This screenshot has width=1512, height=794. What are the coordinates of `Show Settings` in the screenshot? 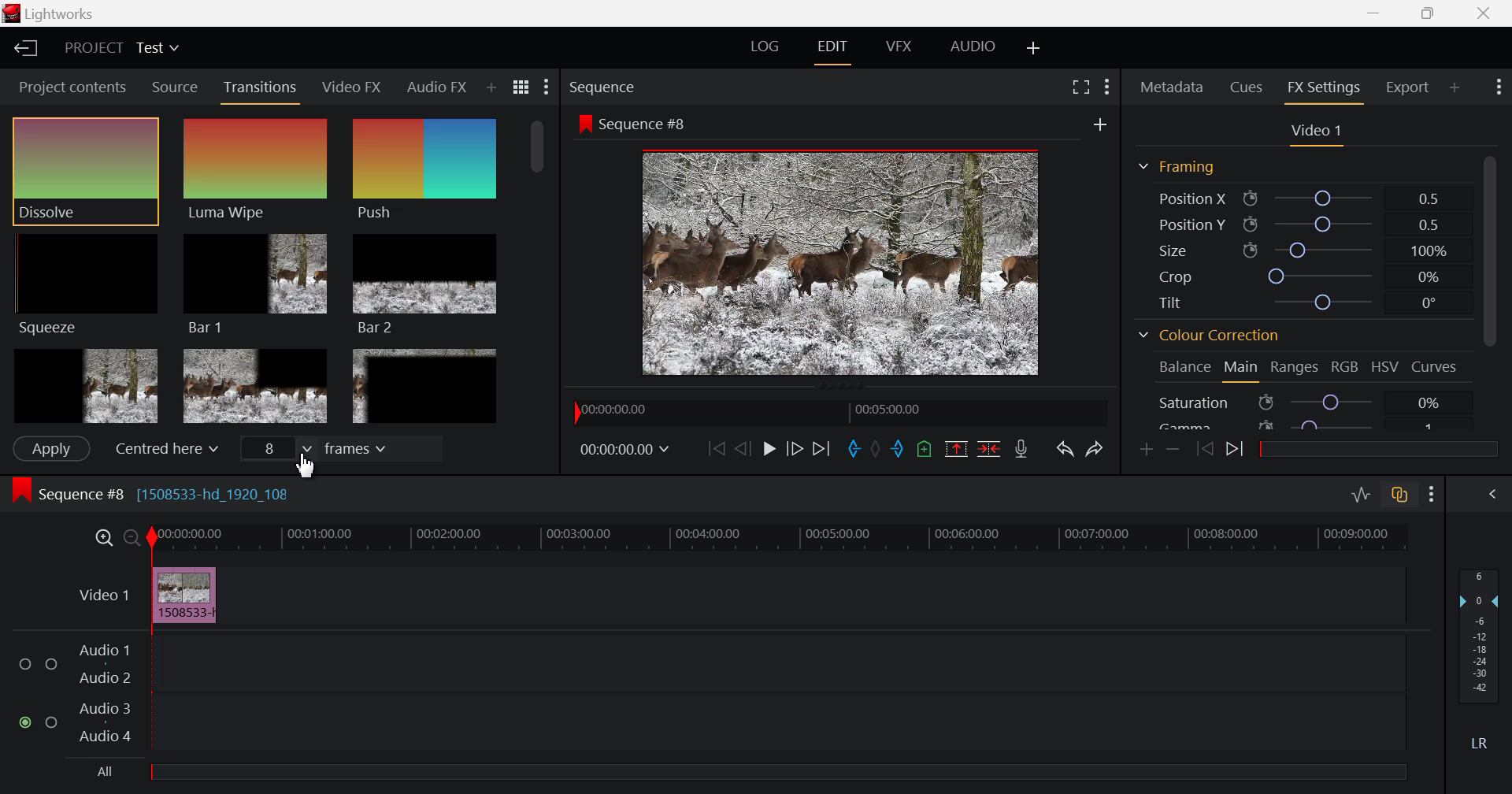 It's located at (544, 89).